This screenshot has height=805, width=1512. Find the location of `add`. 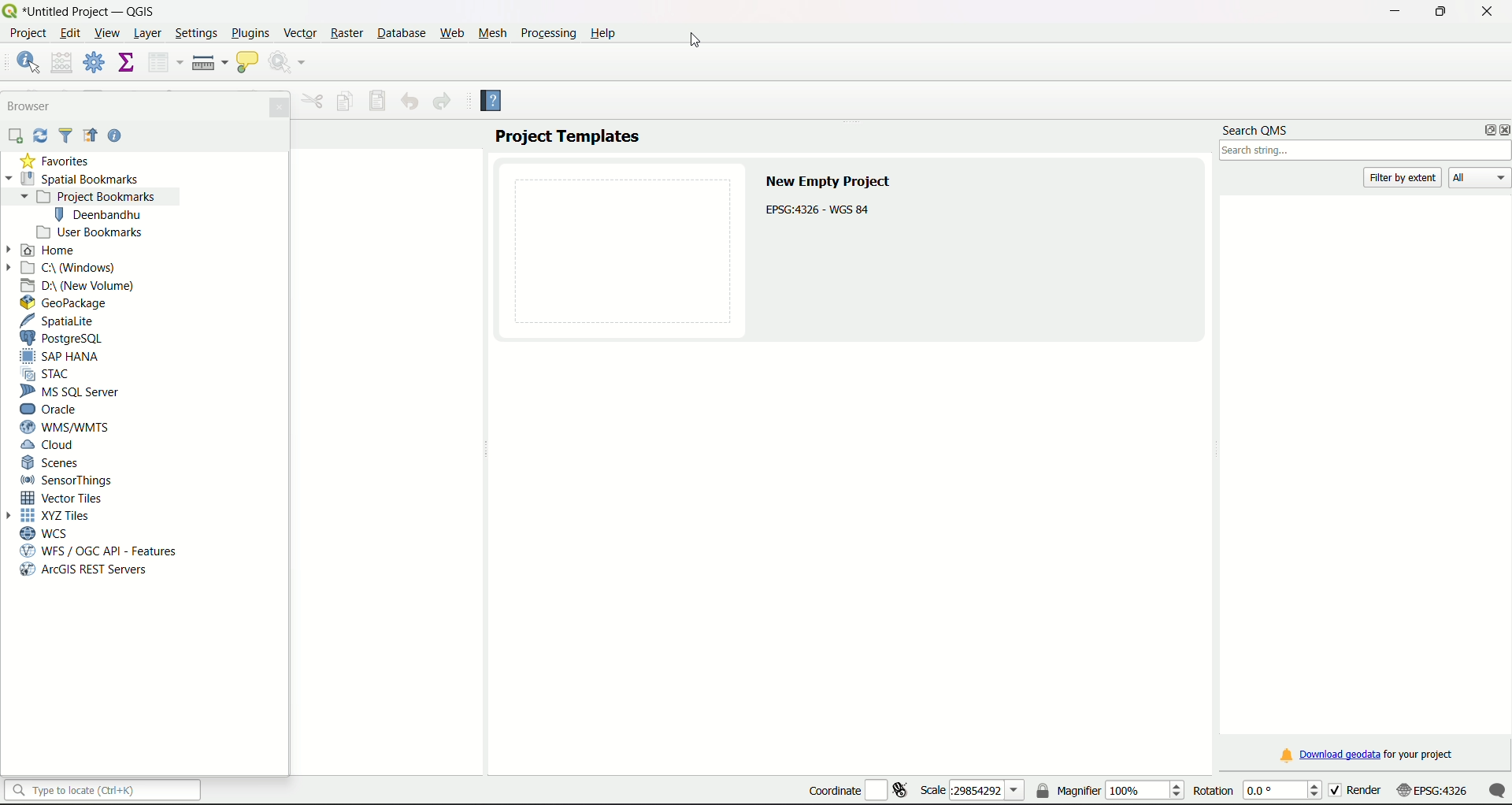

add is located at coordinates (14, 136).